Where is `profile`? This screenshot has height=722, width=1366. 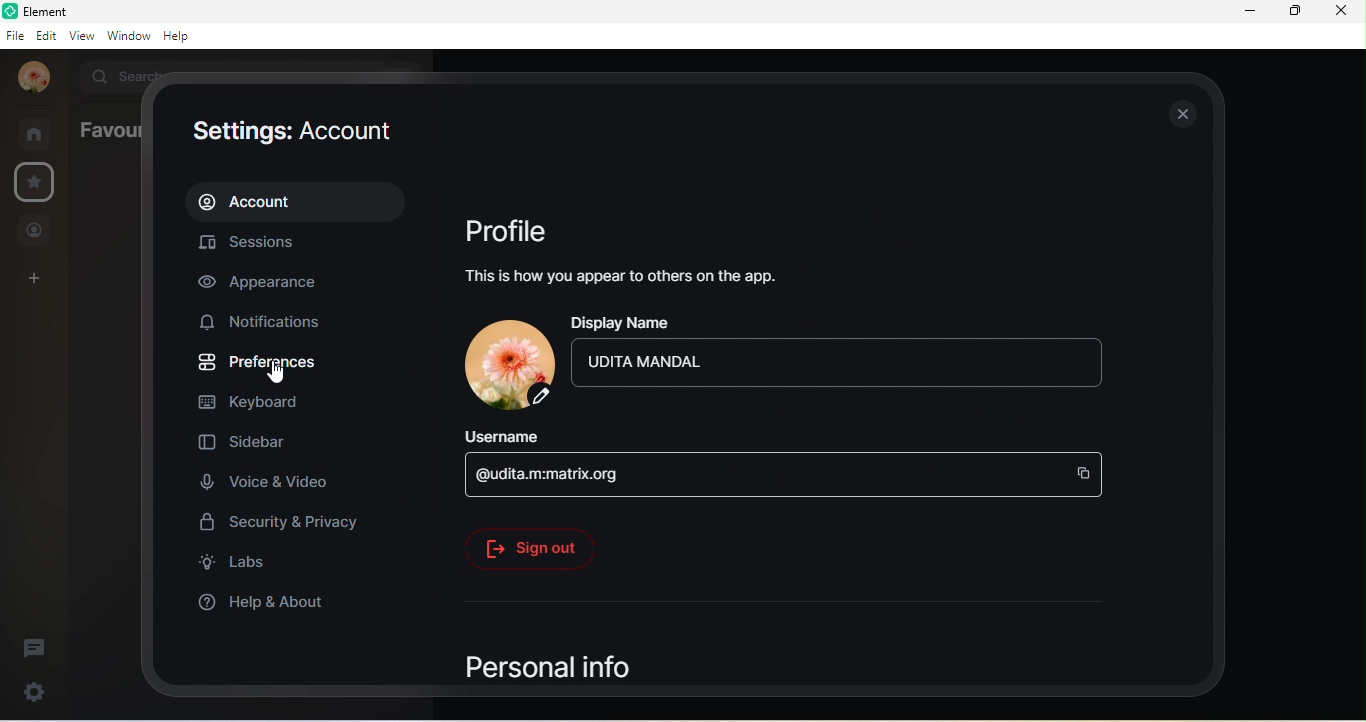 profile is located at coordinates (517, 229).